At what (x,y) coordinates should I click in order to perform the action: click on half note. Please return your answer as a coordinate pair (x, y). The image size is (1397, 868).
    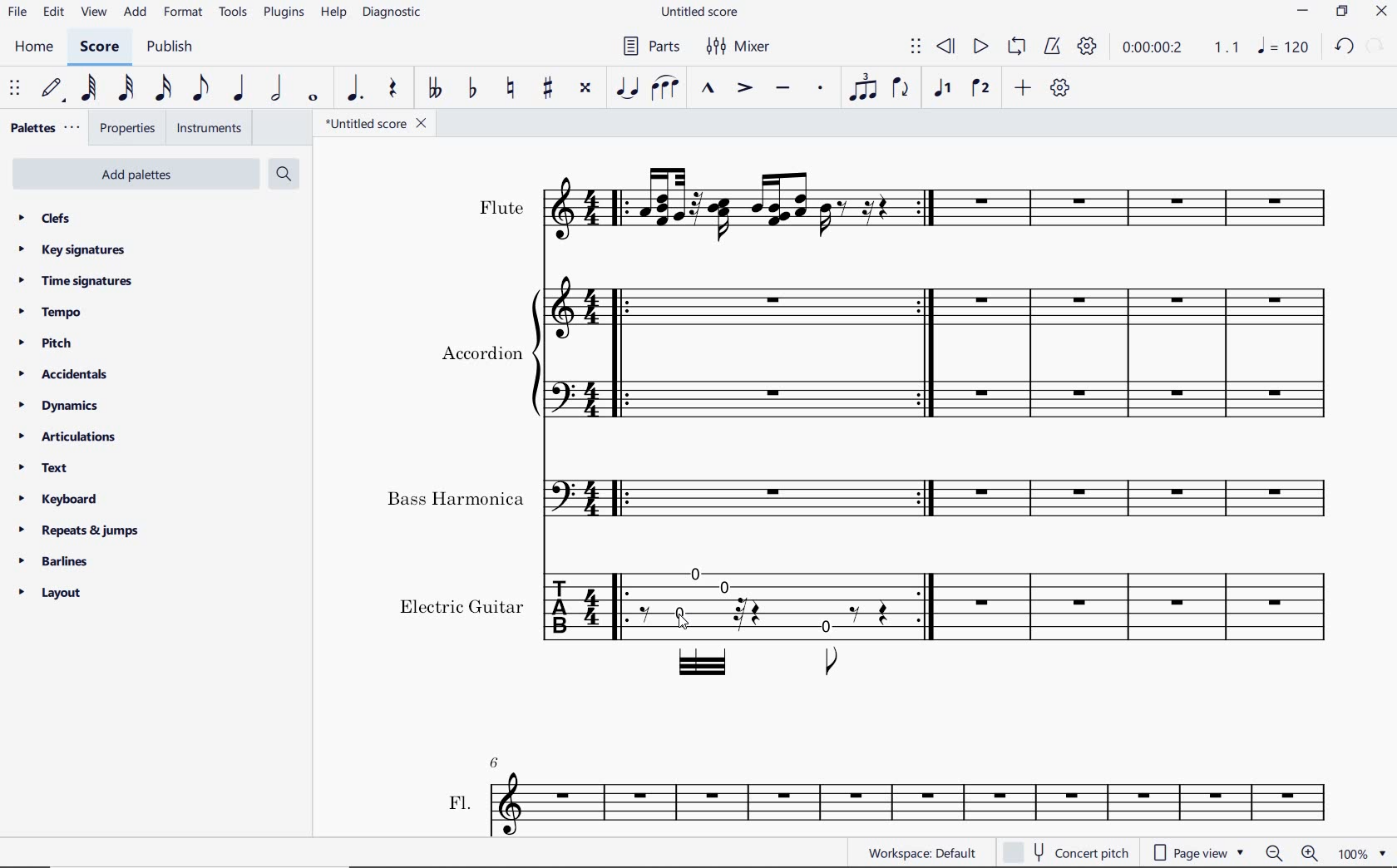
    Looking at the image, I should click on (274, 88).